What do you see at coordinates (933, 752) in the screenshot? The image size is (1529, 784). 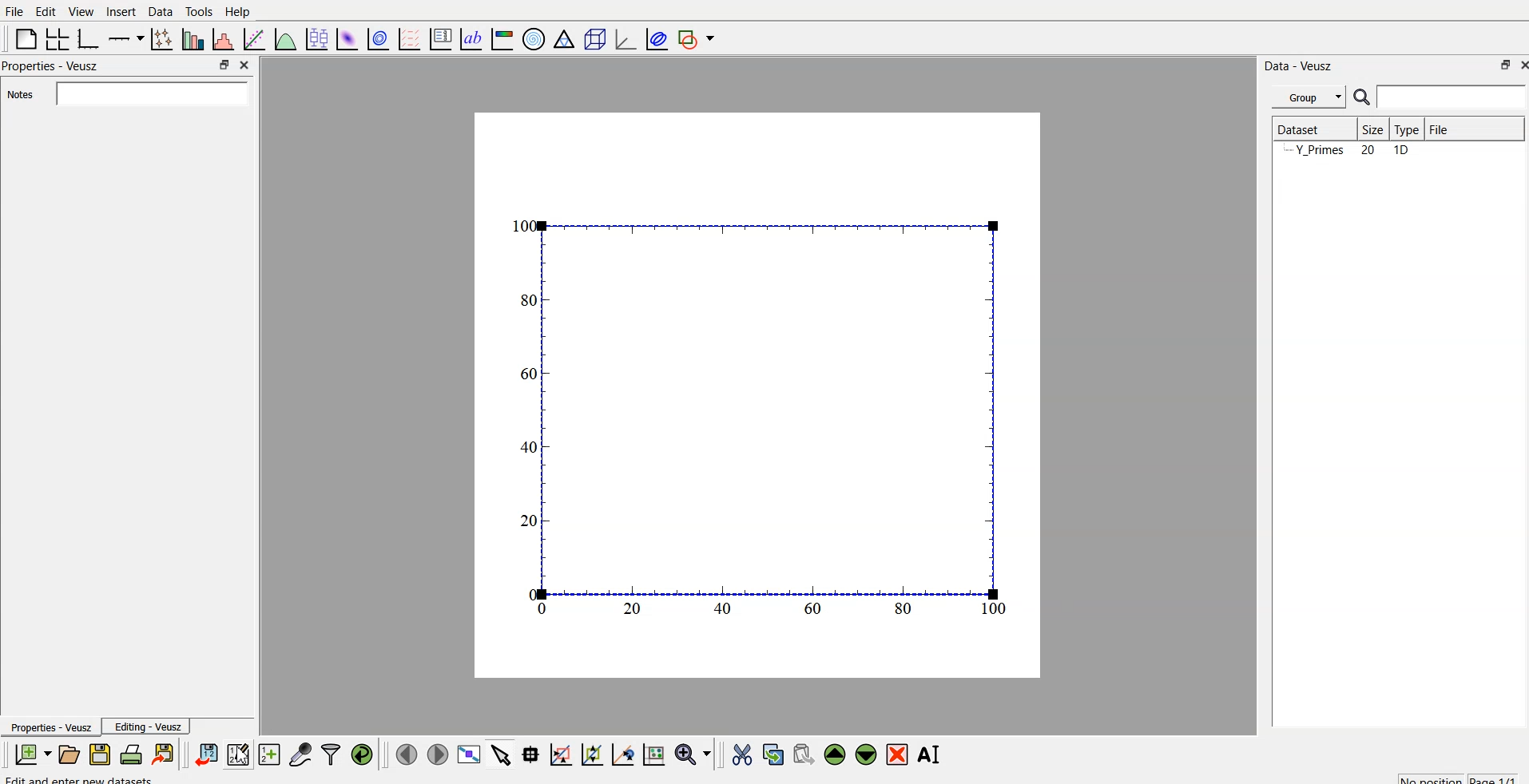 I see `rename the selected widget` at bounding box center [933, 752].